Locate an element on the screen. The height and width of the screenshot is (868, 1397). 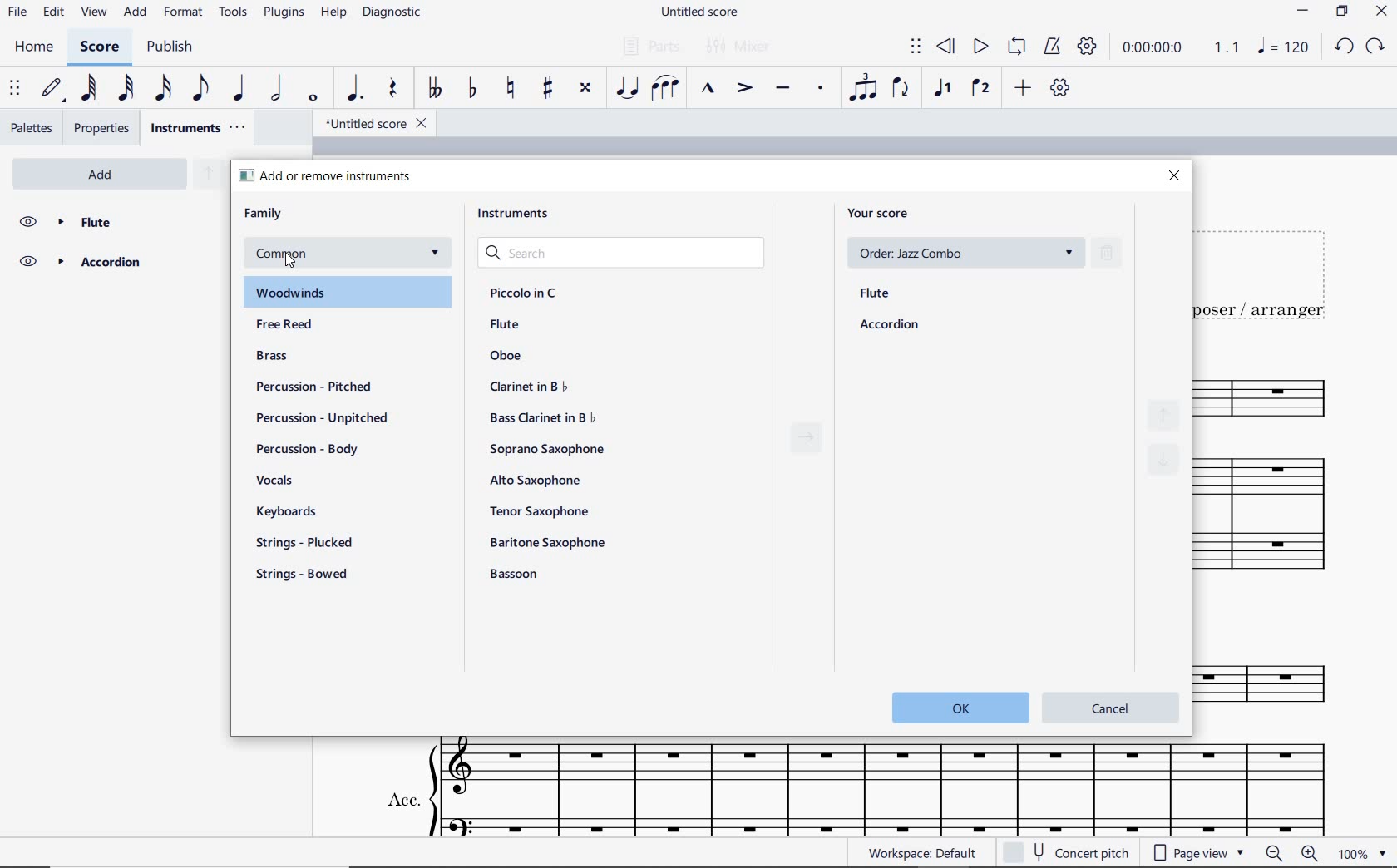
marcato is located at coordinates (708, 90).